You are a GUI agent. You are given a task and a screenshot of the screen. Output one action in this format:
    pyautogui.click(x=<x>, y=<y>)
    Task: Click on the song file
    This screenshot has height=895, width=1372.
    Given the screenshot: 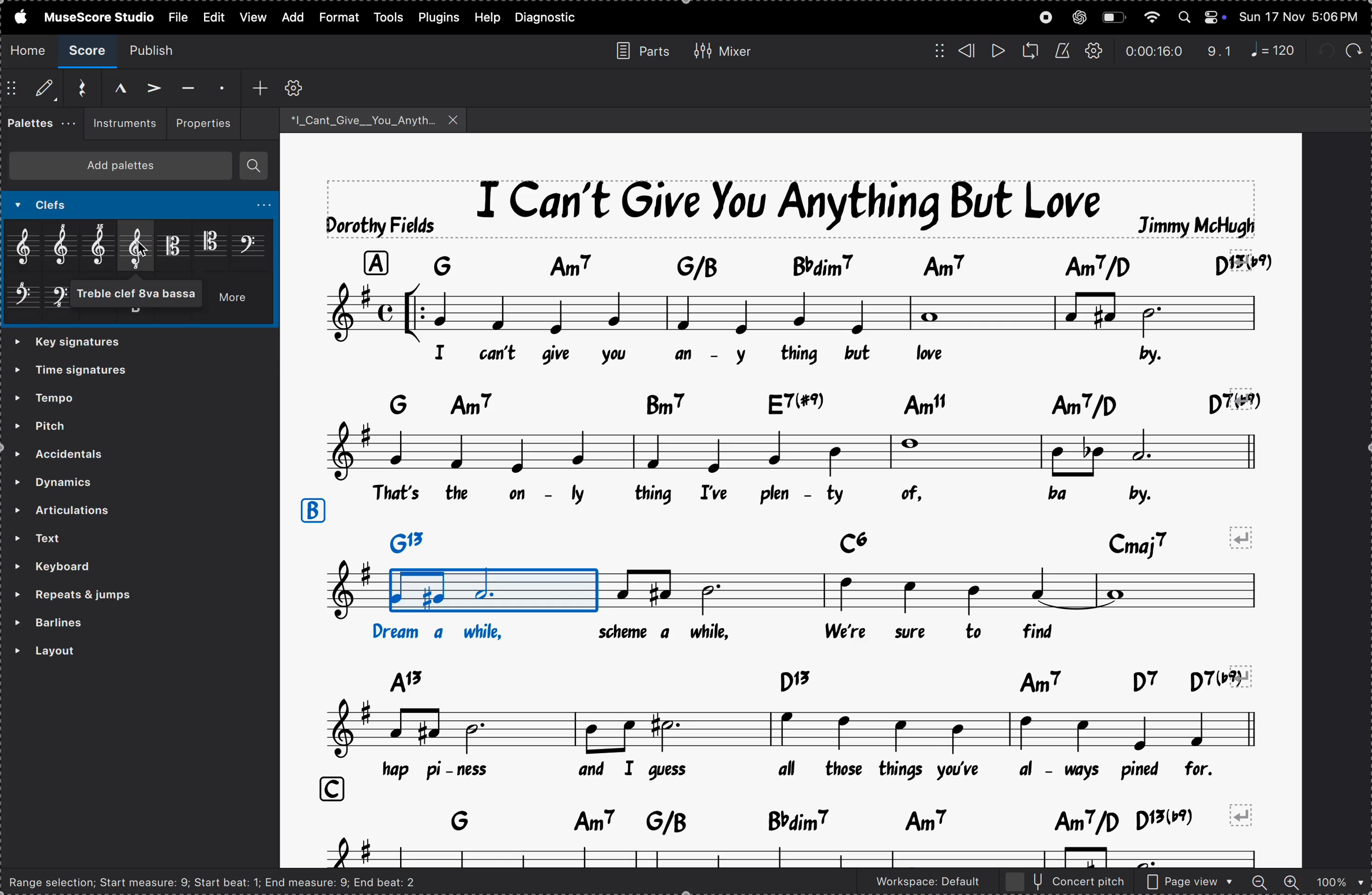 What is the action you would take?
    pyautogui.click(x=374, y=119)
    